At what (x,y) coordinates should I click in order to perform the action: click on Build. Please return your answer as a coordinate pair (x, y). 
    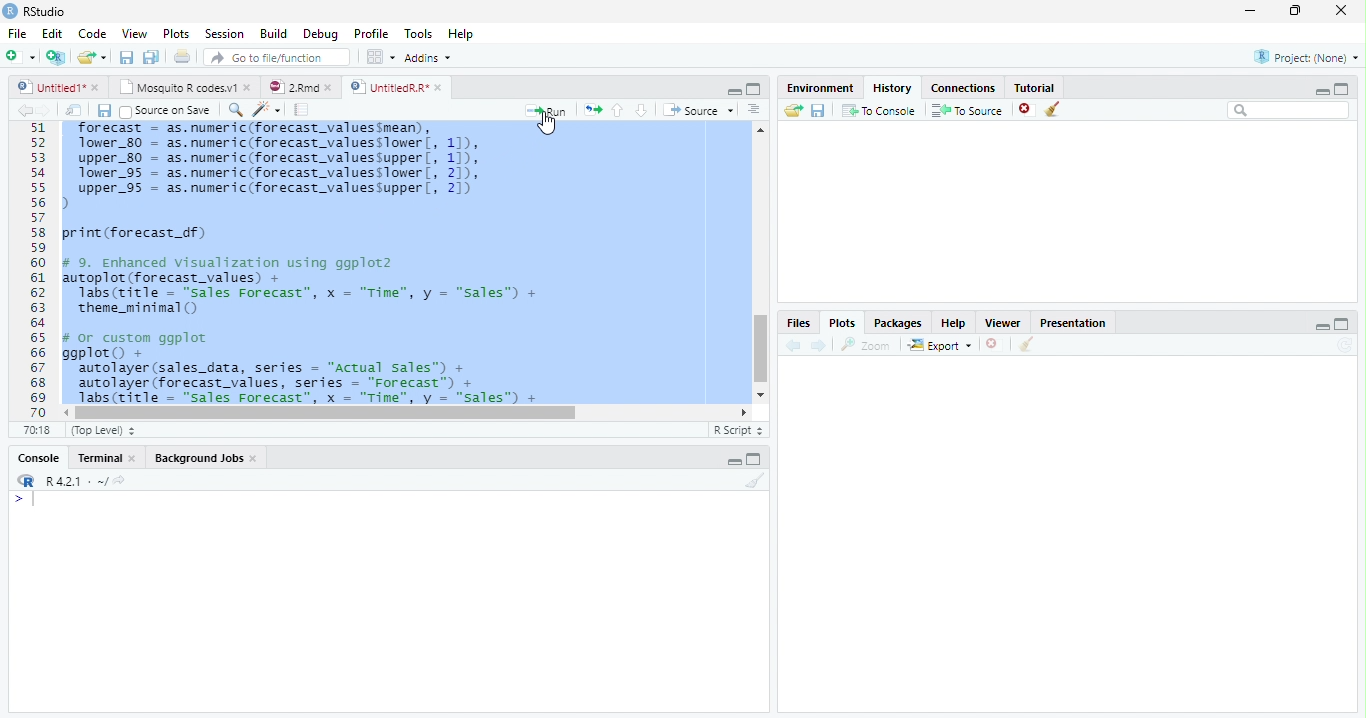
    Looking at the image, I should click on (274, 33).